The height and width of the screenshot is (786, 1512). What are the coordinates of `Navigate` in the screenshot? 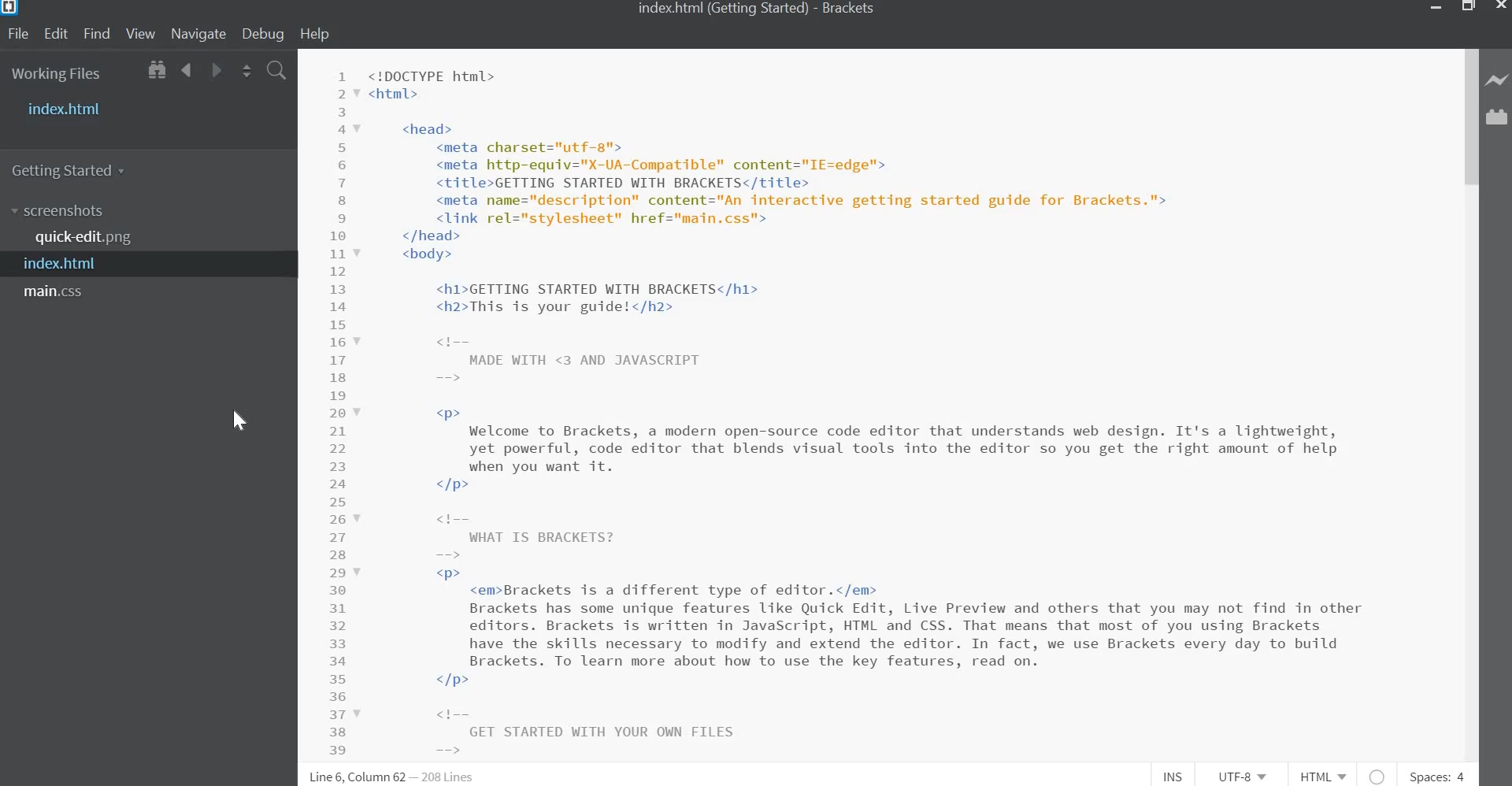 It's located at (197, 35).